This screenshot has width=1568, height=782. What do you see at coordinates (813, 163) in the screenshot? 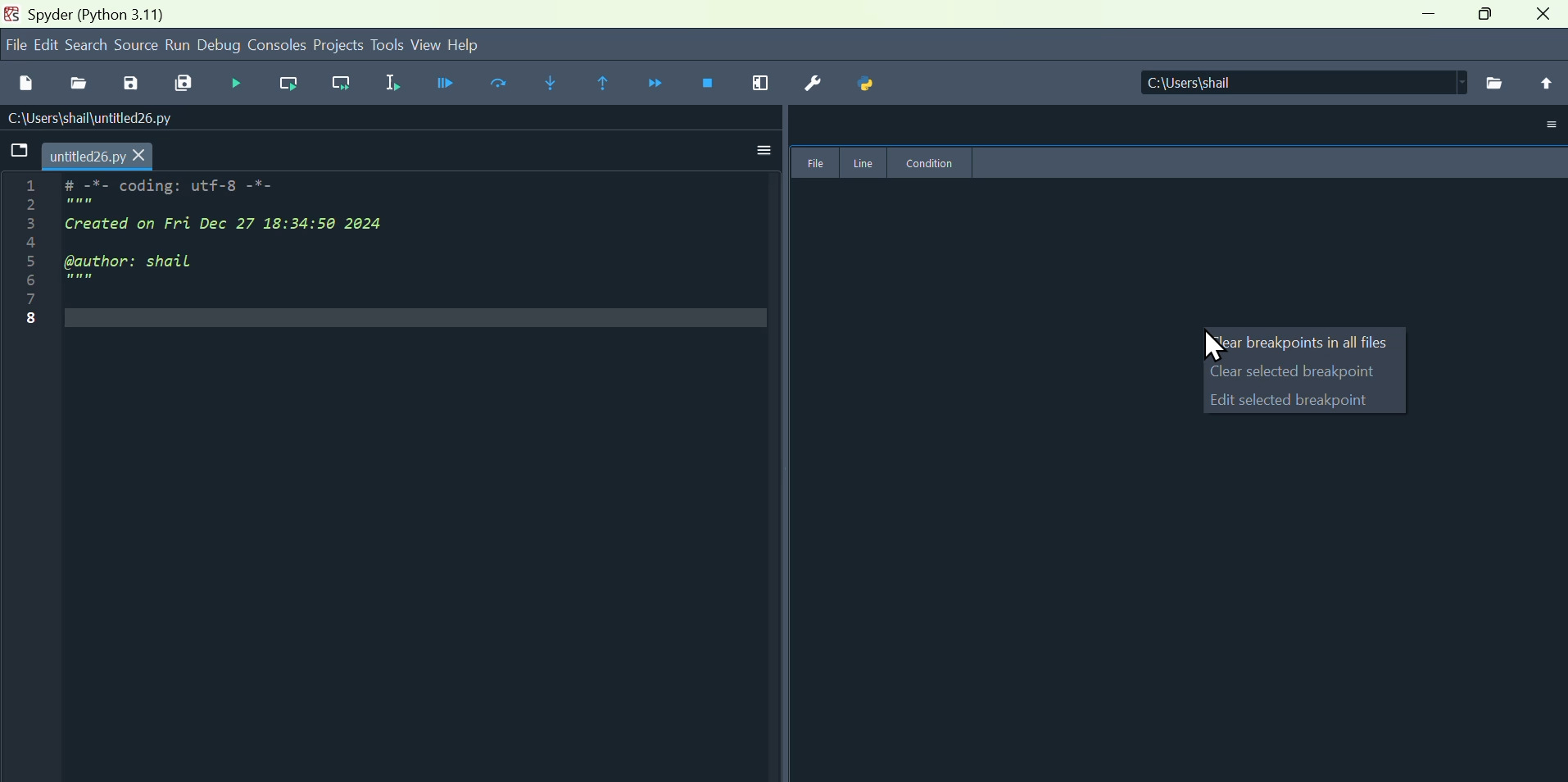
I see `File` at bounding box center [813, 163].